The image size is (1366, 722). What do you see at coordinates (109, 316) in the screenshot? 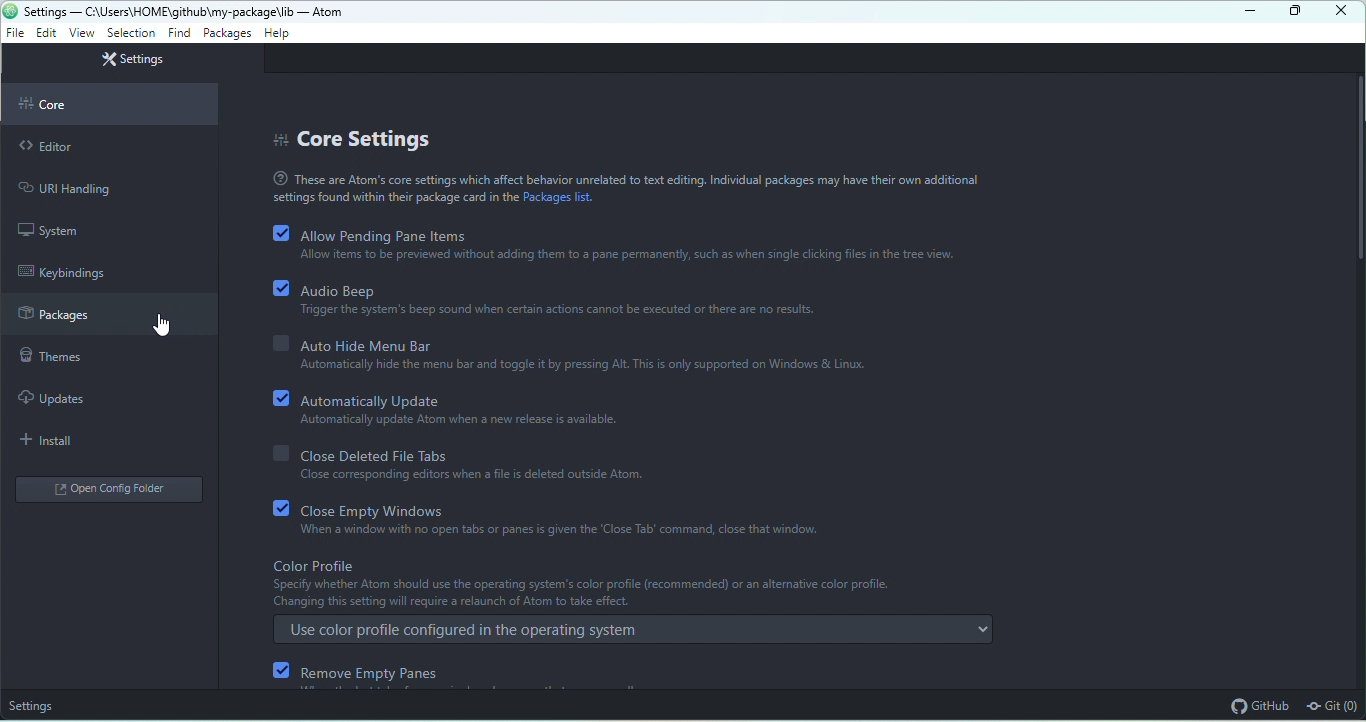
I see `packages` at bounding box center [109, 316].